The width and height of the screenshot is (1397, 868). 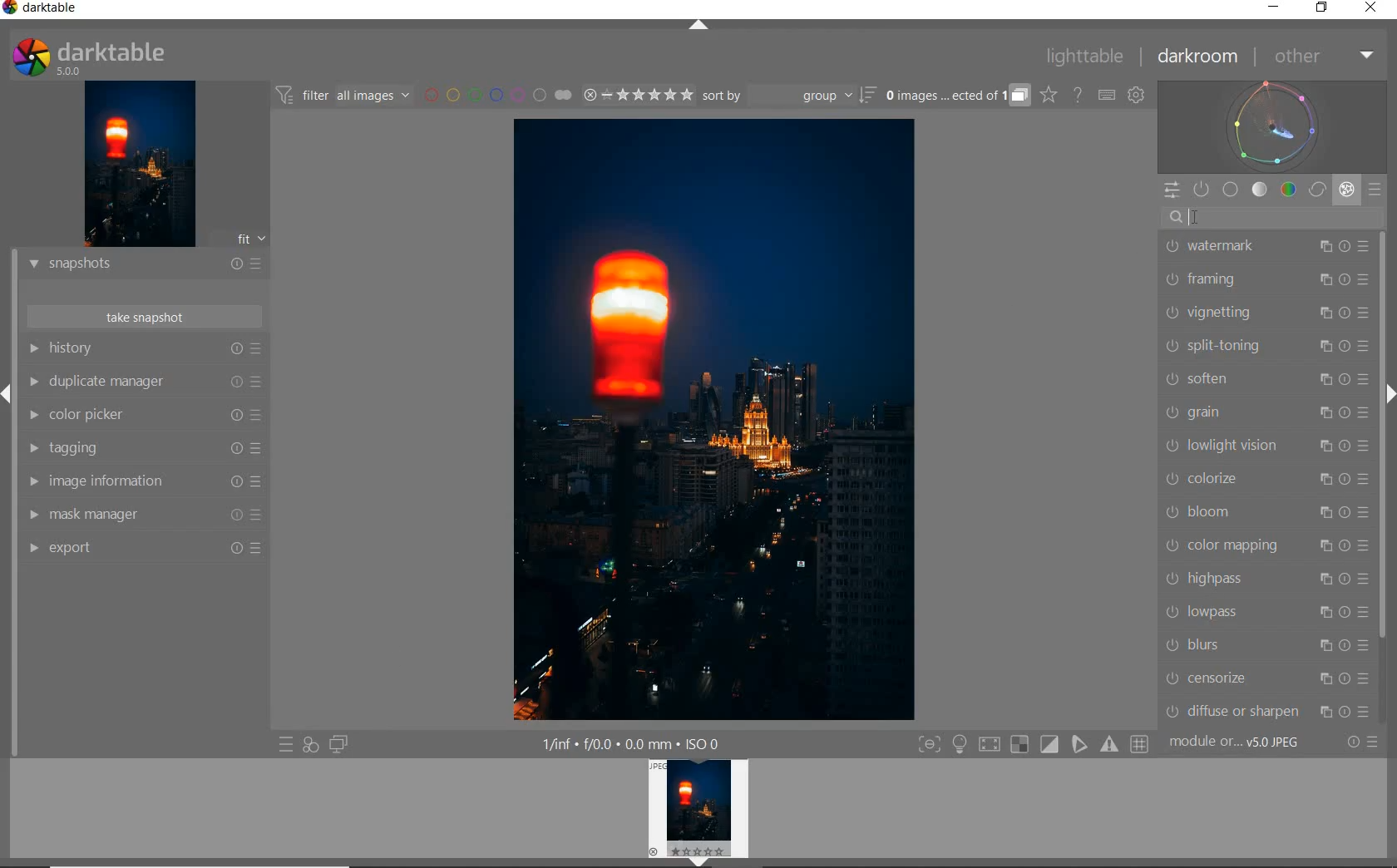 I want to click on TOGGLE MODES, so click(x=1034, y=744).